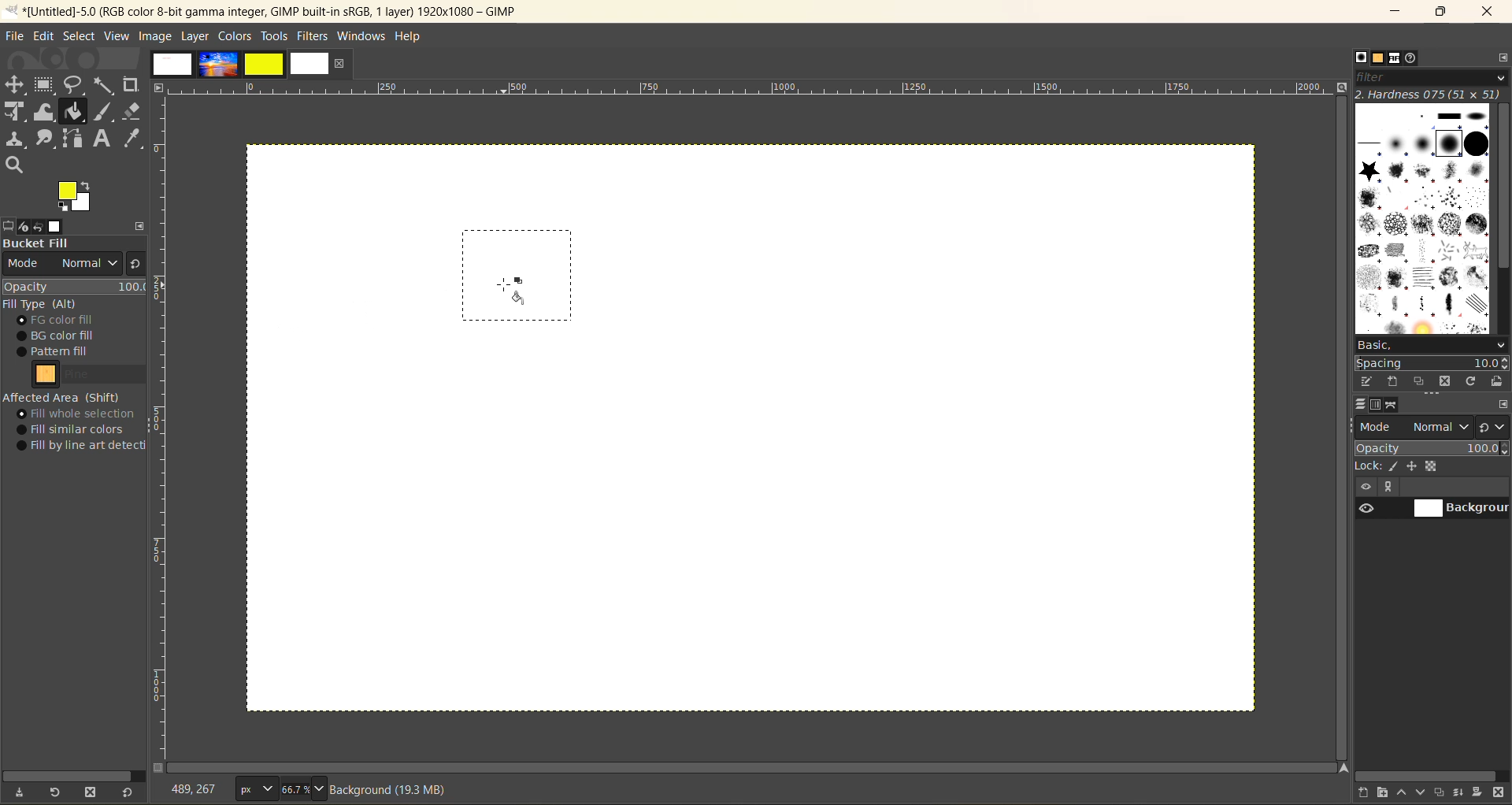  What do you see at coordinates (81, 414) in the screenshot?
I see `fill whole selection` at bounding box center [81, 414].